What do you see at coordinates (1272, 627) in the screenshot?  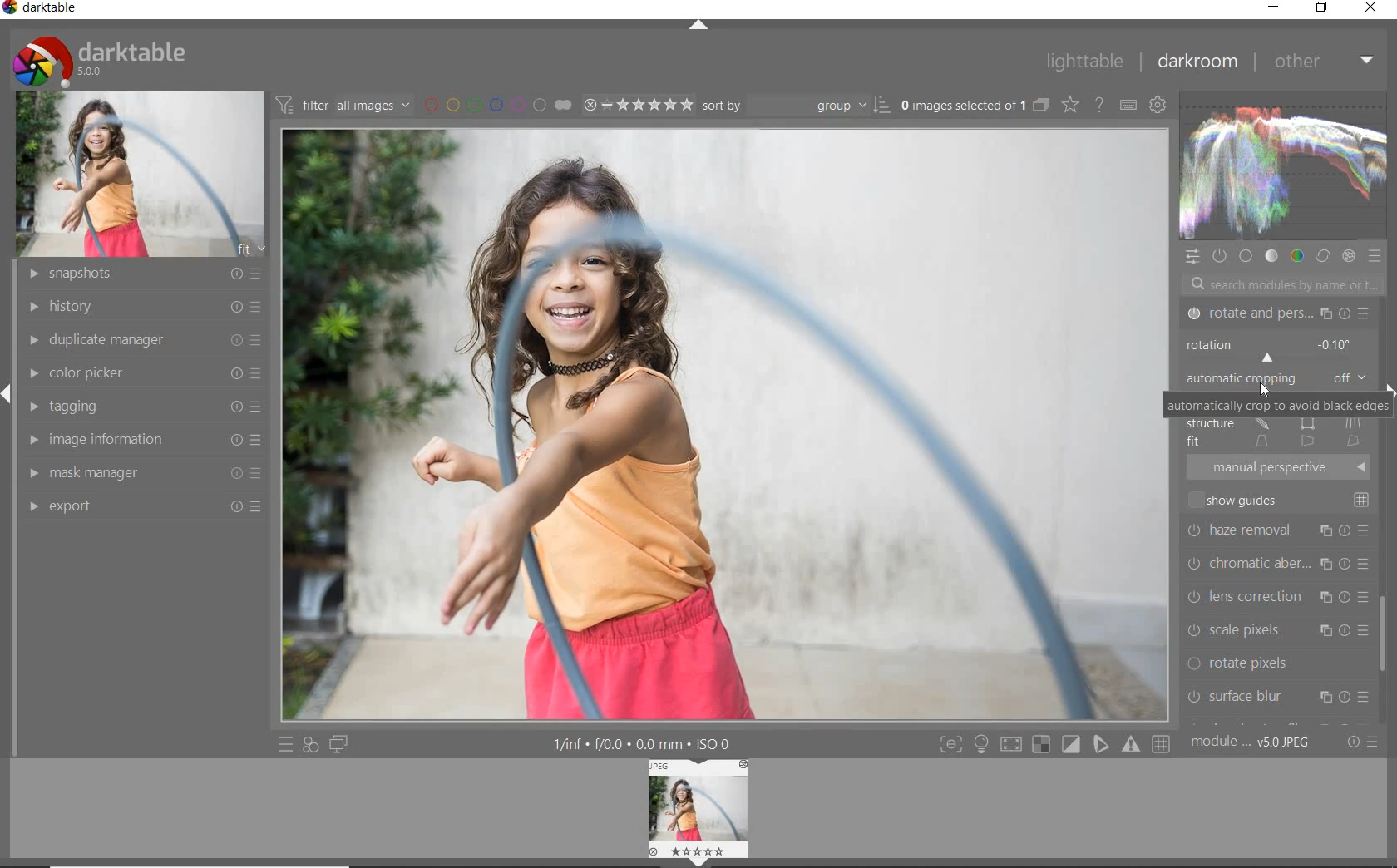 I see `scale pixels` at bounding box center [1272, 627].